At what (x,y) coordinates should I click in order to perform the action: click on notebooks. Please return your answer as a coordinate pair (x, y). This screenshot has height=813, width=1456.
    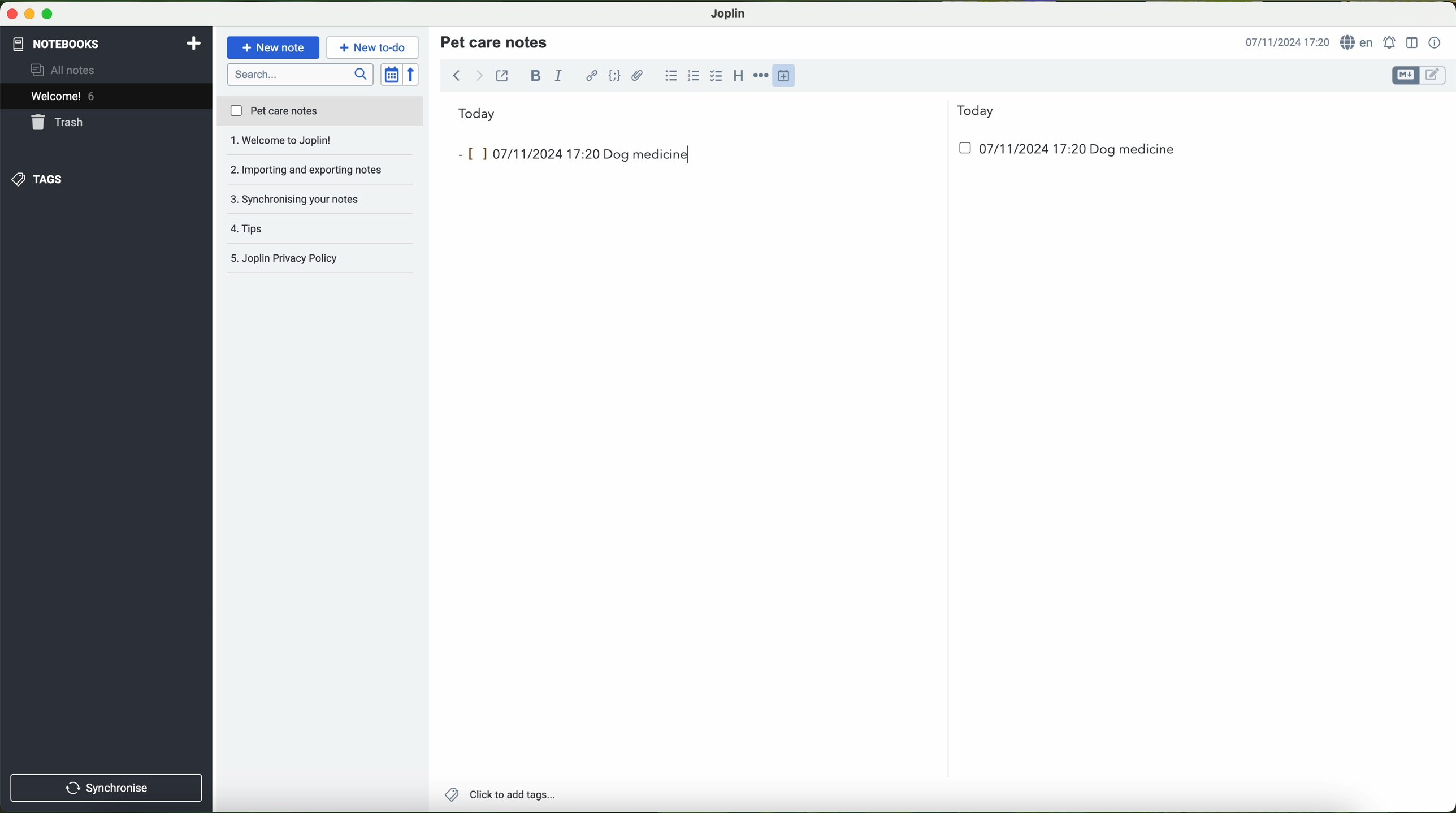
    Looking at the image, I should click on (55, 42).